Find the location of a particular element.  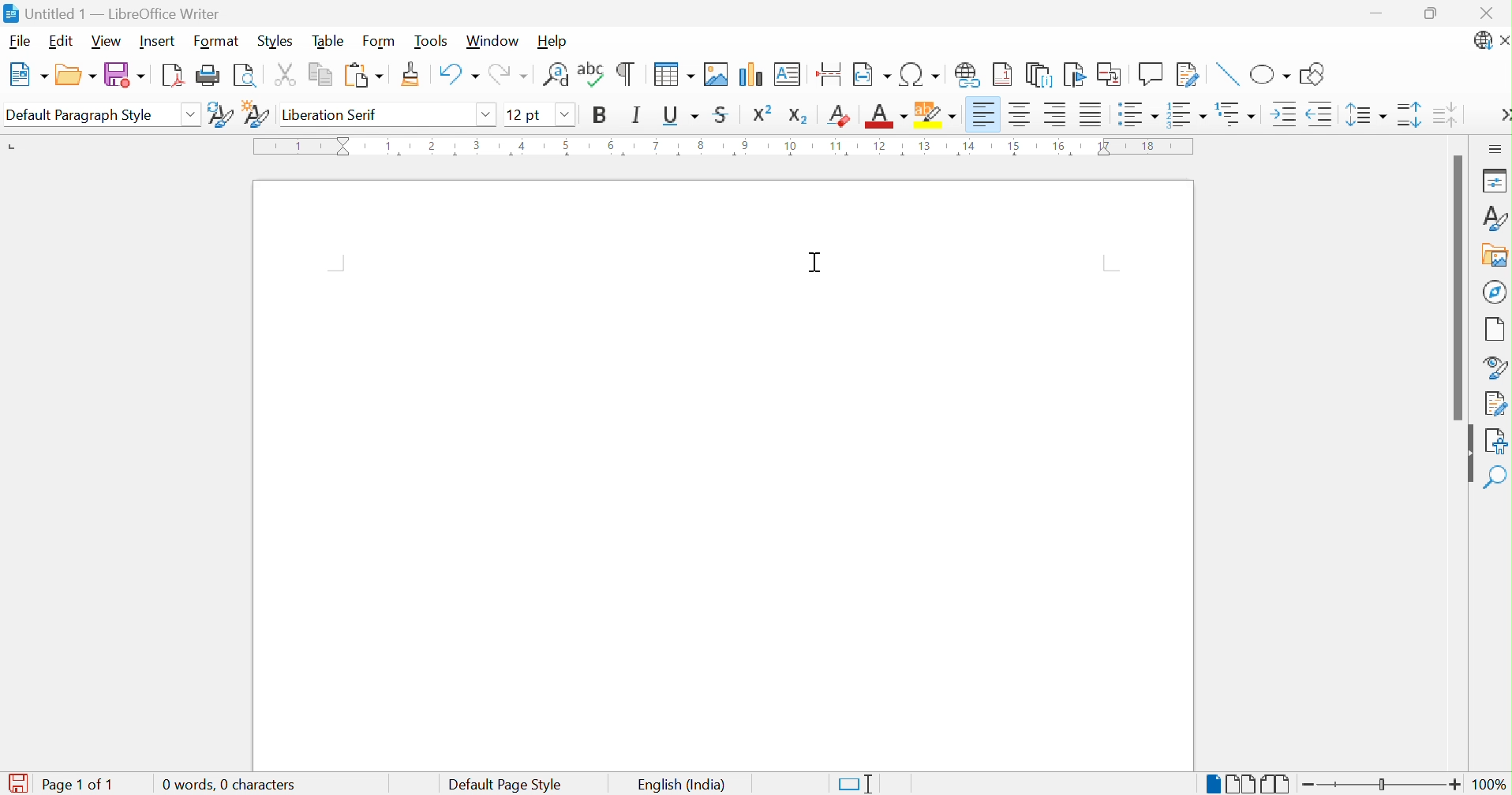

Insert page break is located at coordinates (833, 73).